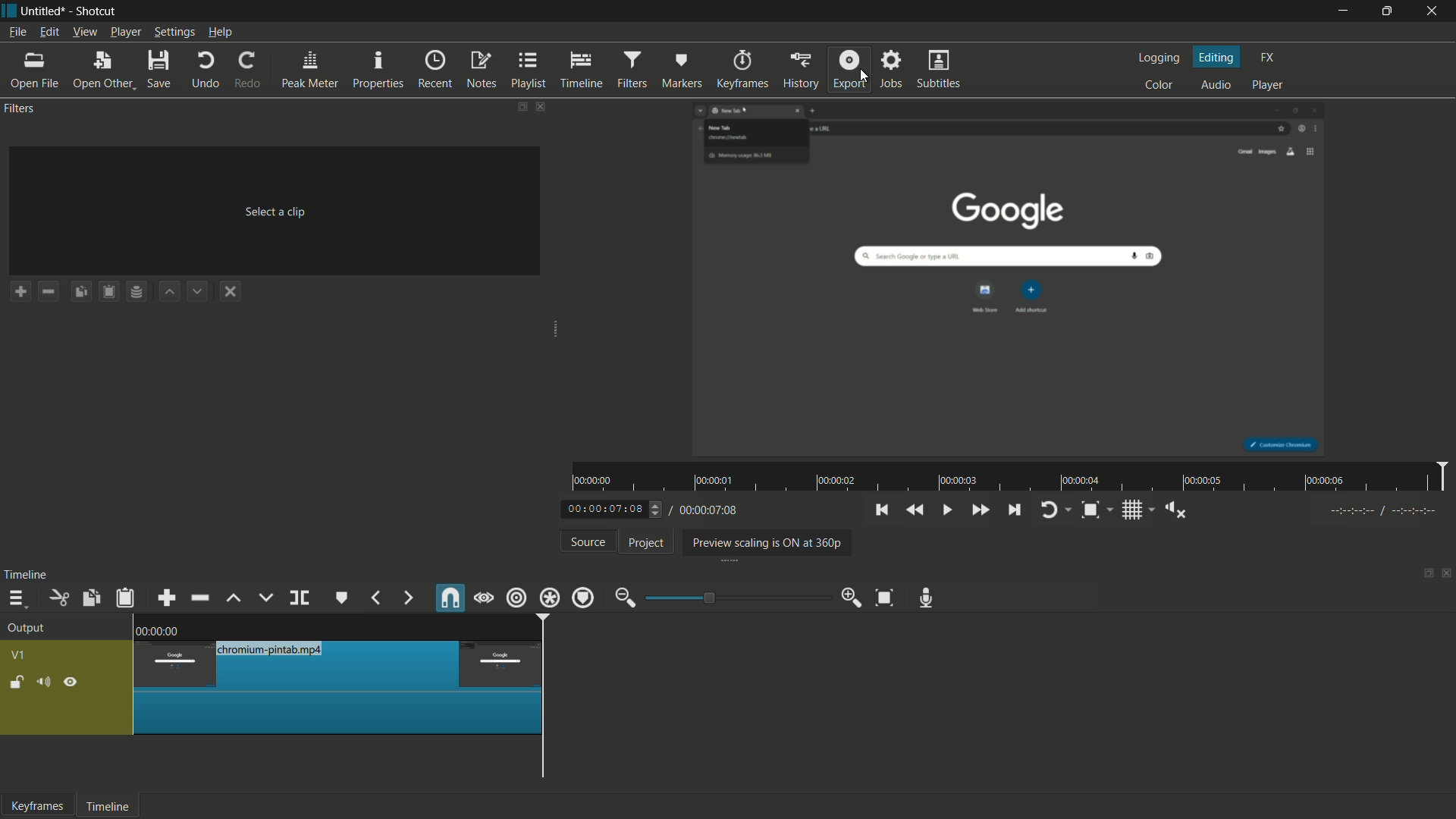  Describe the element at coordinates (940, 68) in the screenshot. I see `subtitles` at that location.